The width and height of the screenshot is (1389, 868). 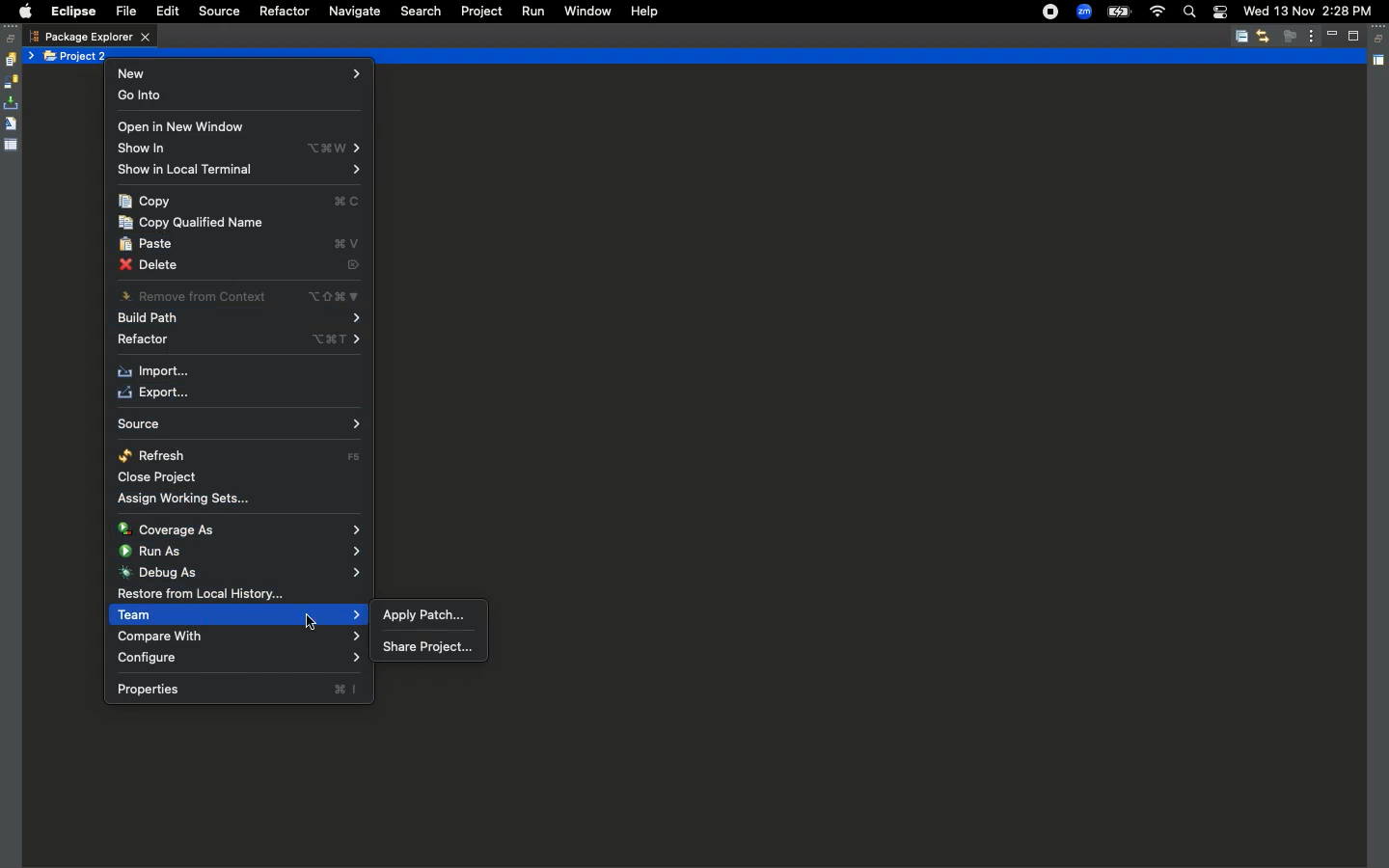 I want to click on New, so click(x=241, y=73).